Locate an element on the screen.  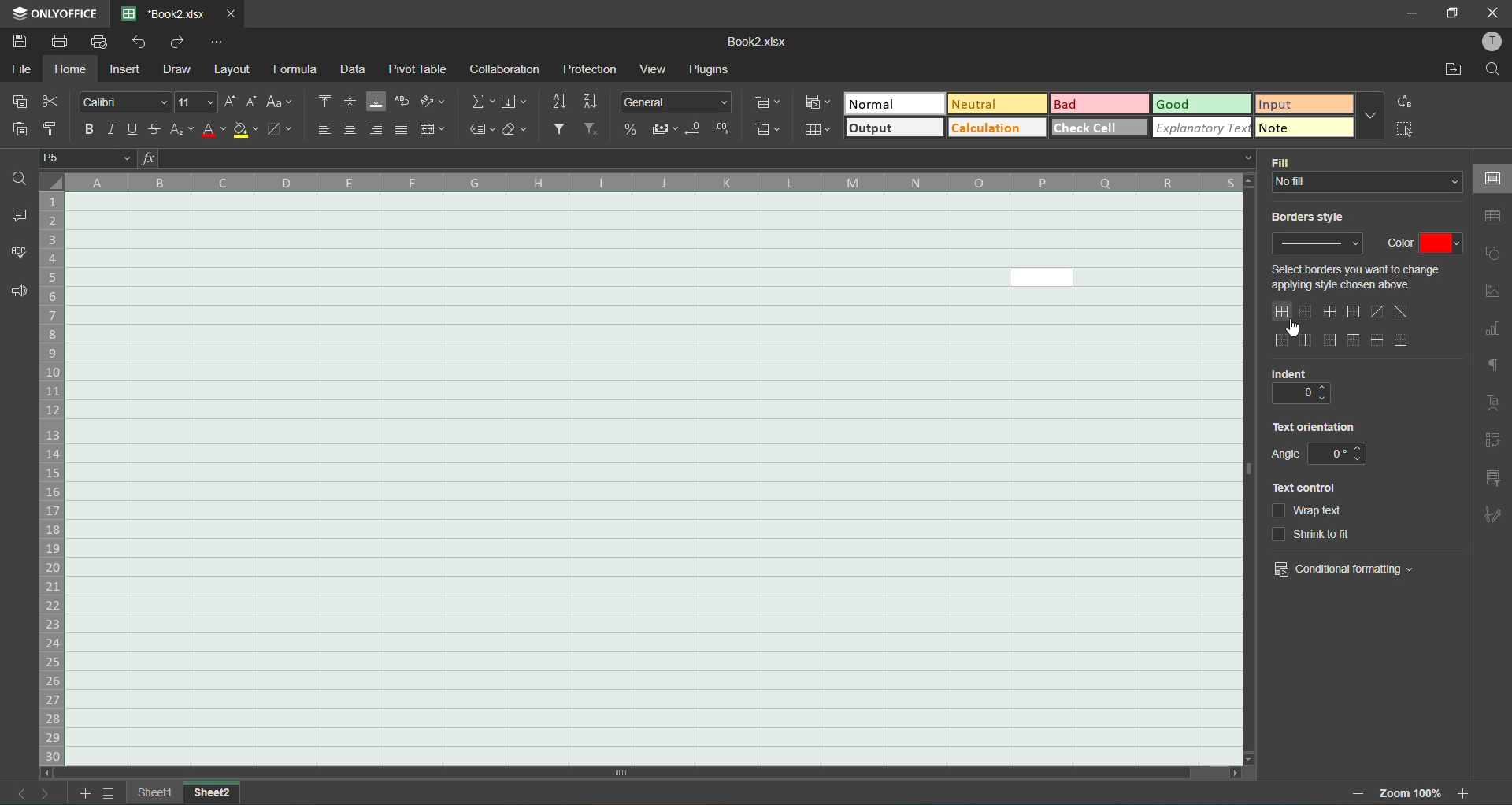
sort ascending is located at coordinates (564, 103).